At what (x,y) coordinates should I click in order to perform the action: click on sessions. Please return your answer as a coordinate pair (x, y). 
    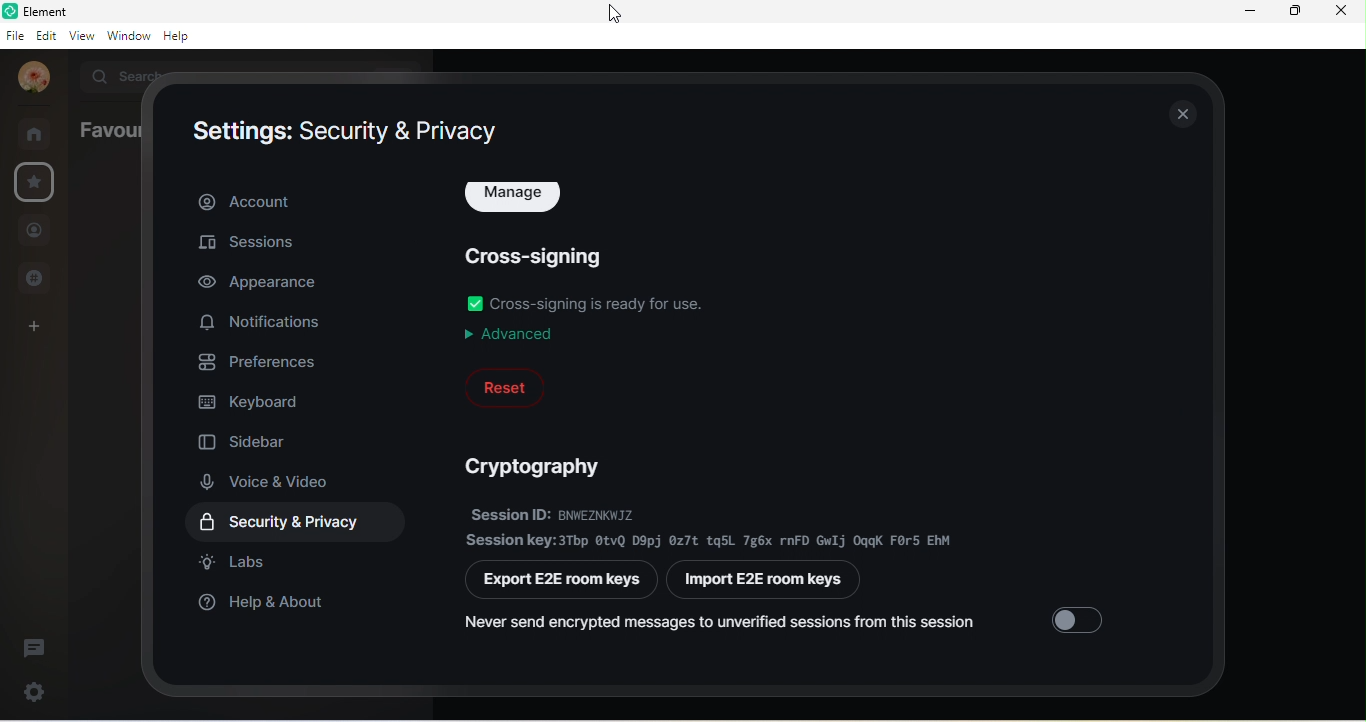
    Looking at the image, I should click on (255, 246).